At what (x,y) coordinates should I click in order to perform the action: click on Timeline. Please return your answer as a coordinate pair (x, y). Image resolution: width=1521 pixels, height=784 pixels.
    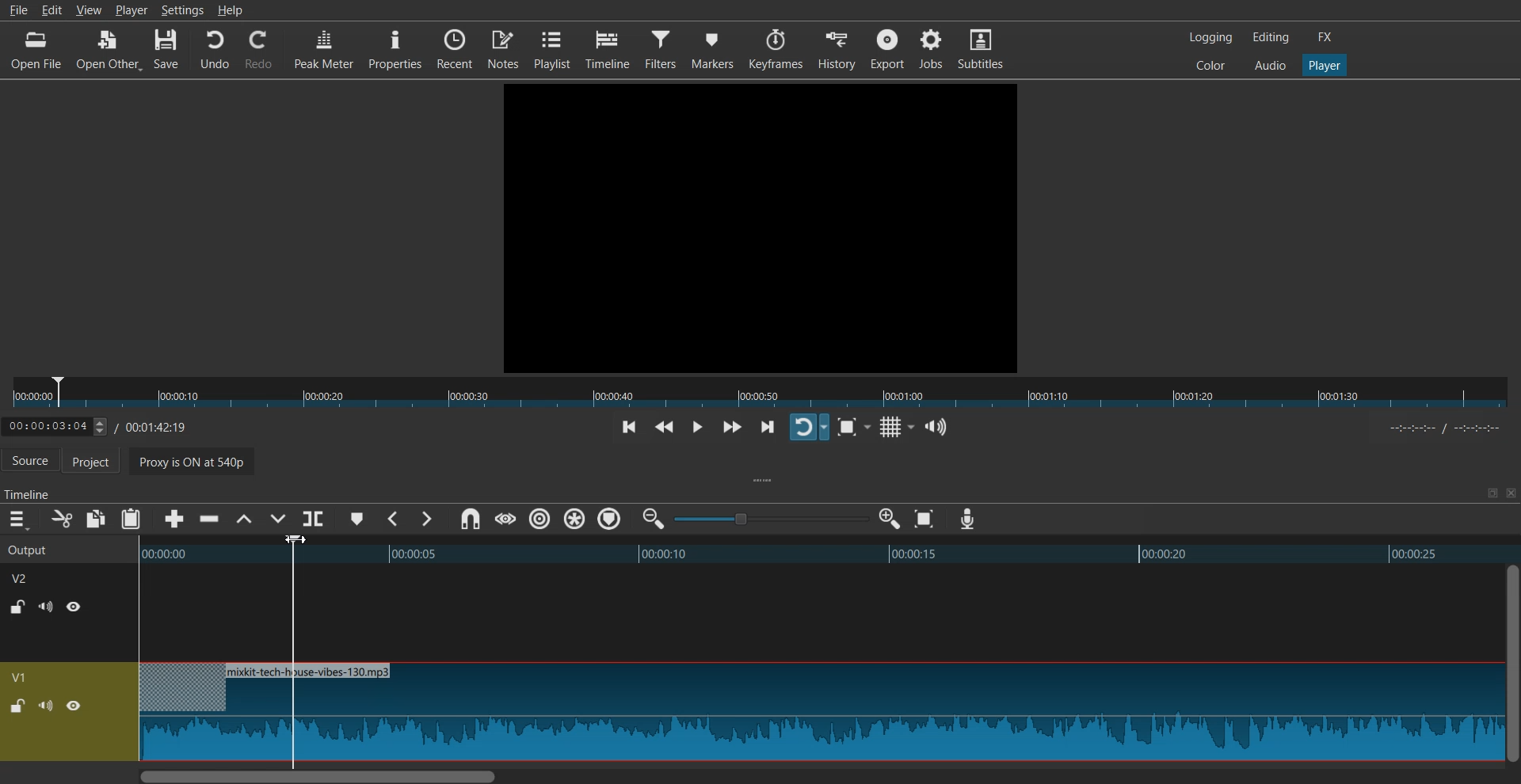
    Looking at the image, I should click on (608, 49).